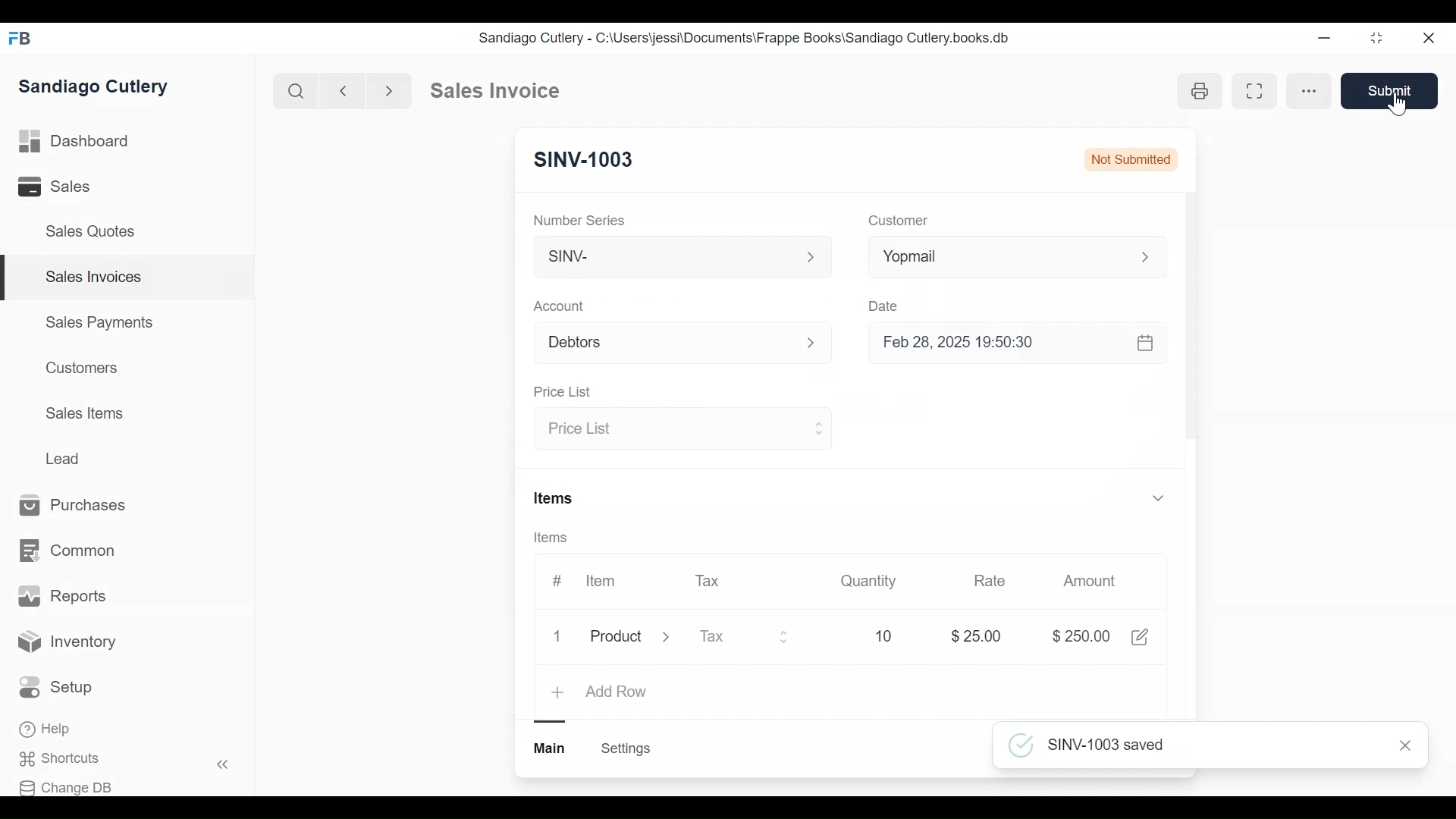  Describe the element at coordinates (20, 38) in the screenshot. I see `FB logo` at that location.